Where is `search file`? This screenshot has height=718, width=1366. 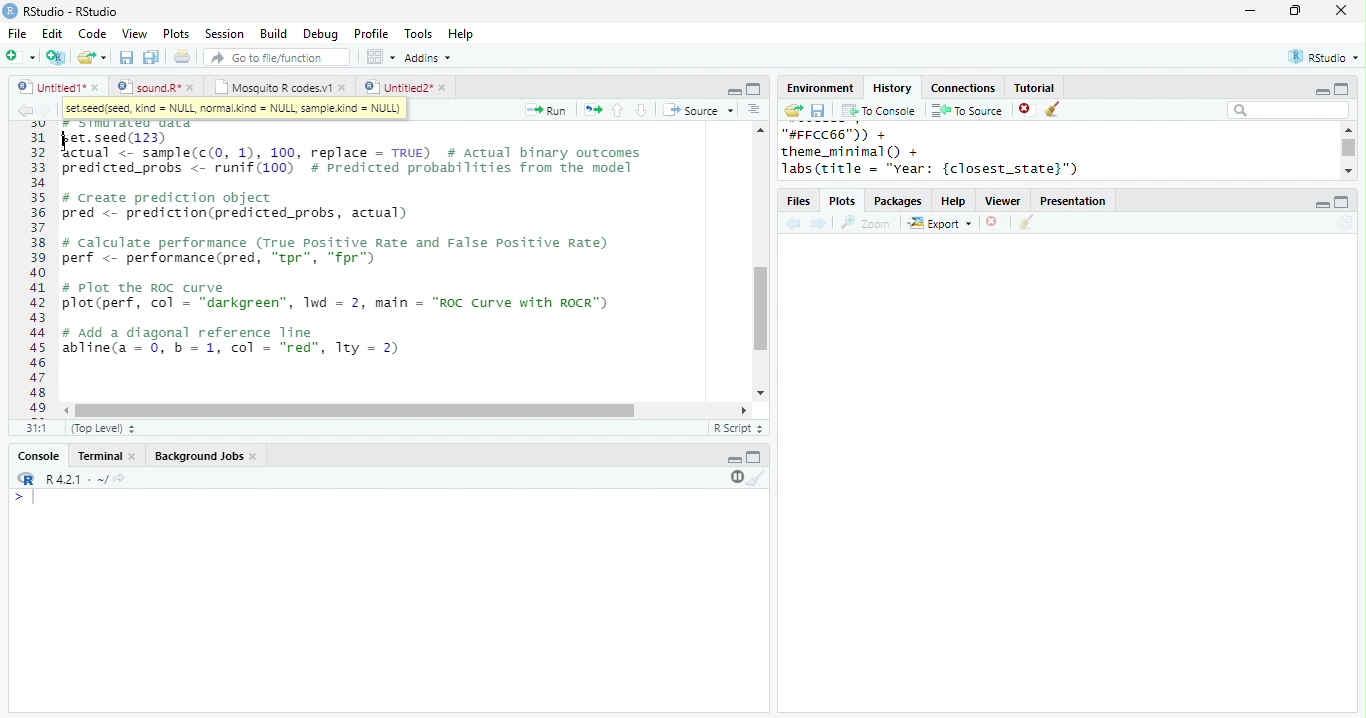
search file is located at coordinates (278, 57).